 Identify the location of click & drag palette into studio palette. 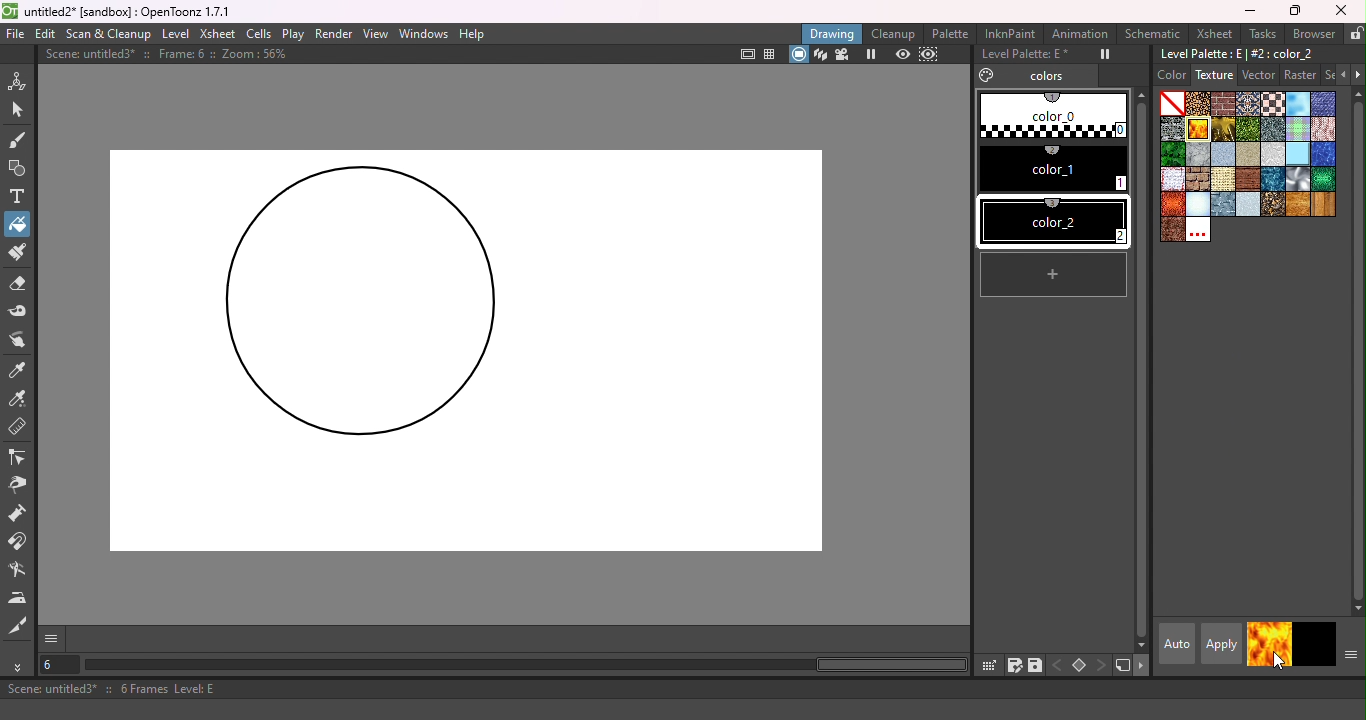
(988, 665).